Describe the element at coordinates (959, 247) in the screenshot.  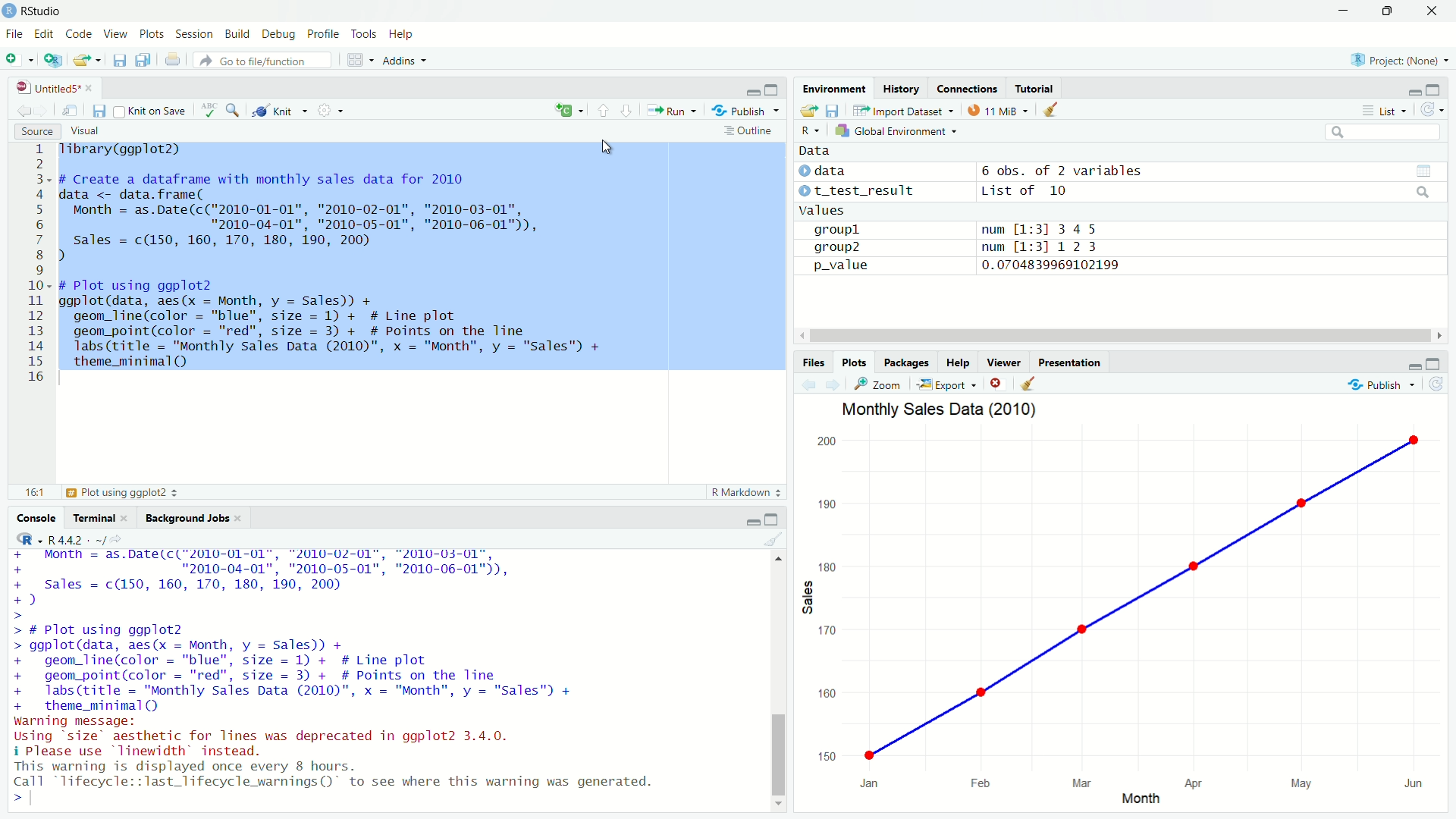
I see `aroun? num M-=311 2 3` at that location.